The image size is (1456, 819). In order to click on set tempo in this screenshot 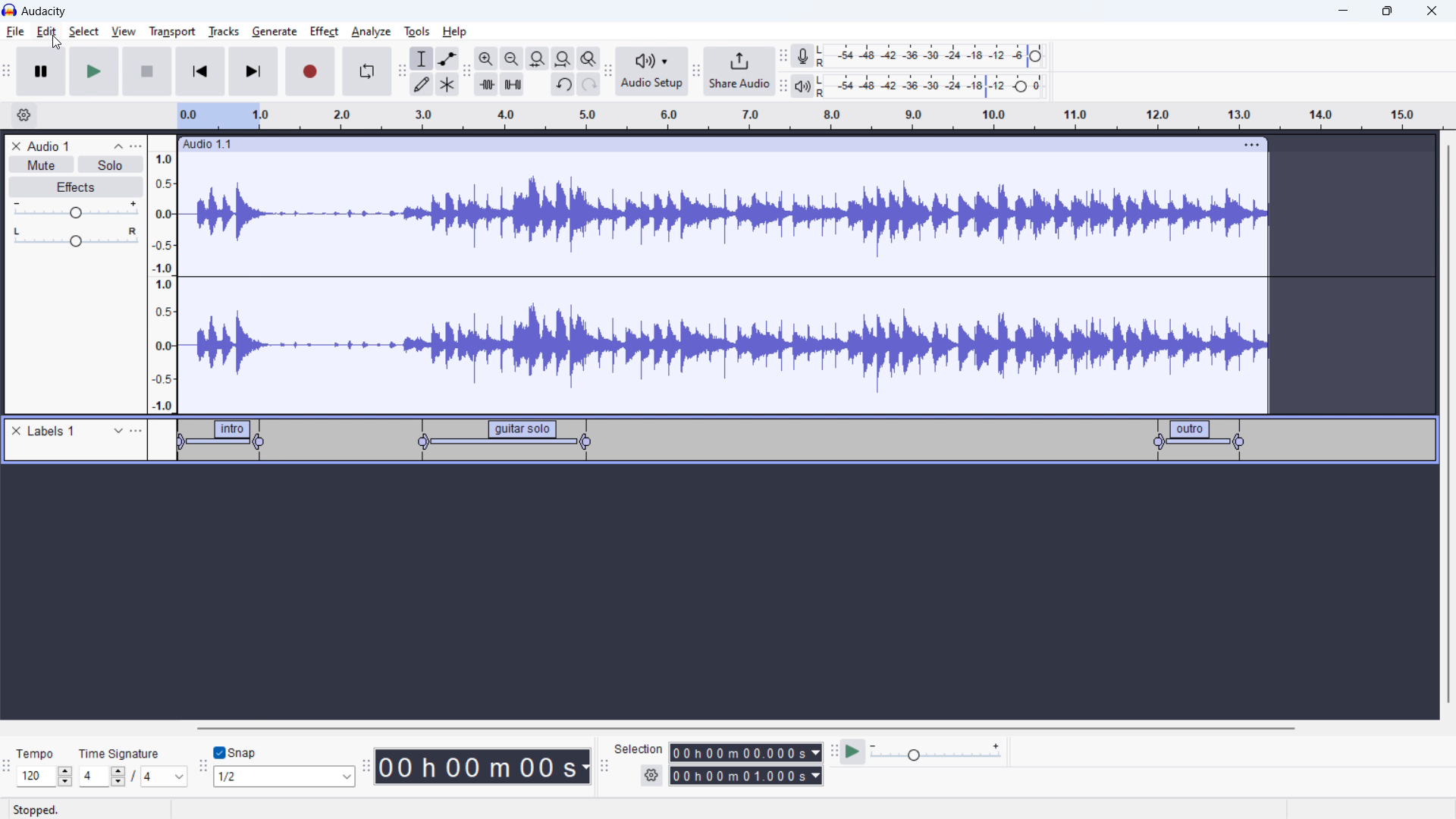, I will do `click(45, 777)`.